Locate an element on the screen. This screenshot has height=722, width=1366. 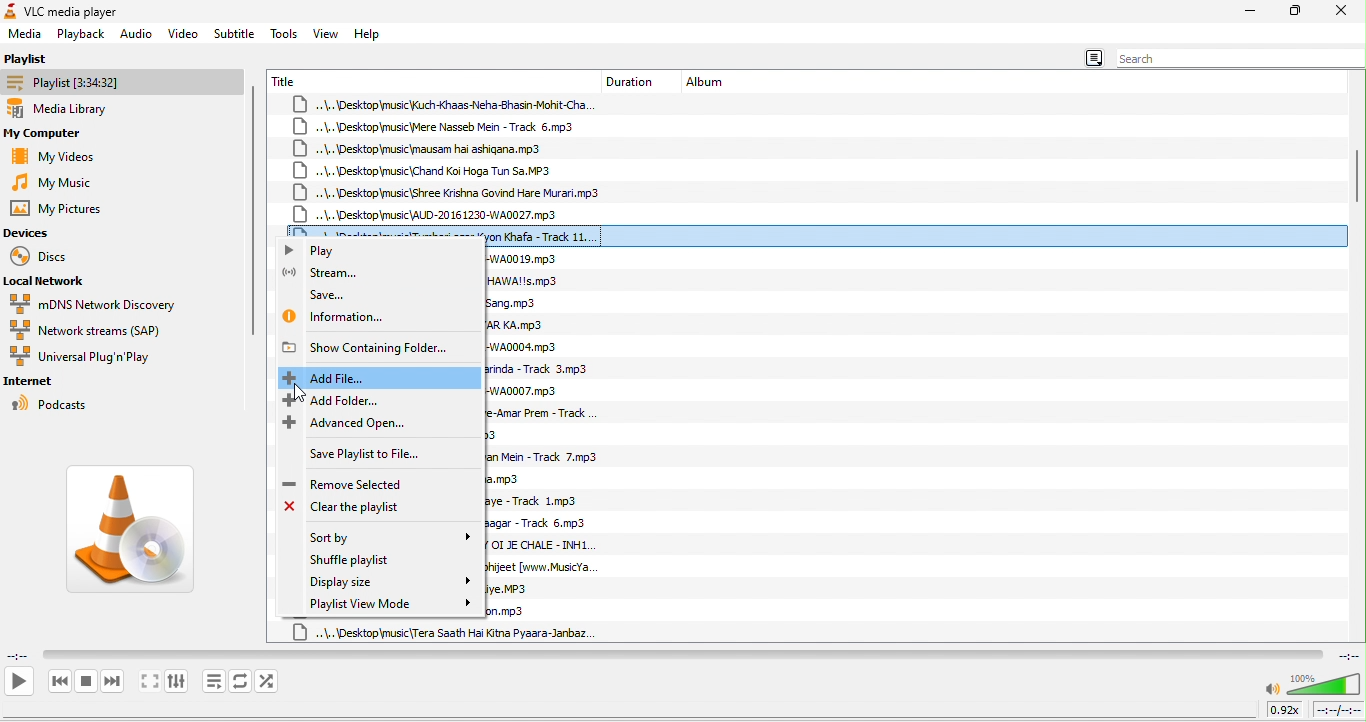
media is located at coordinates (25, 35).